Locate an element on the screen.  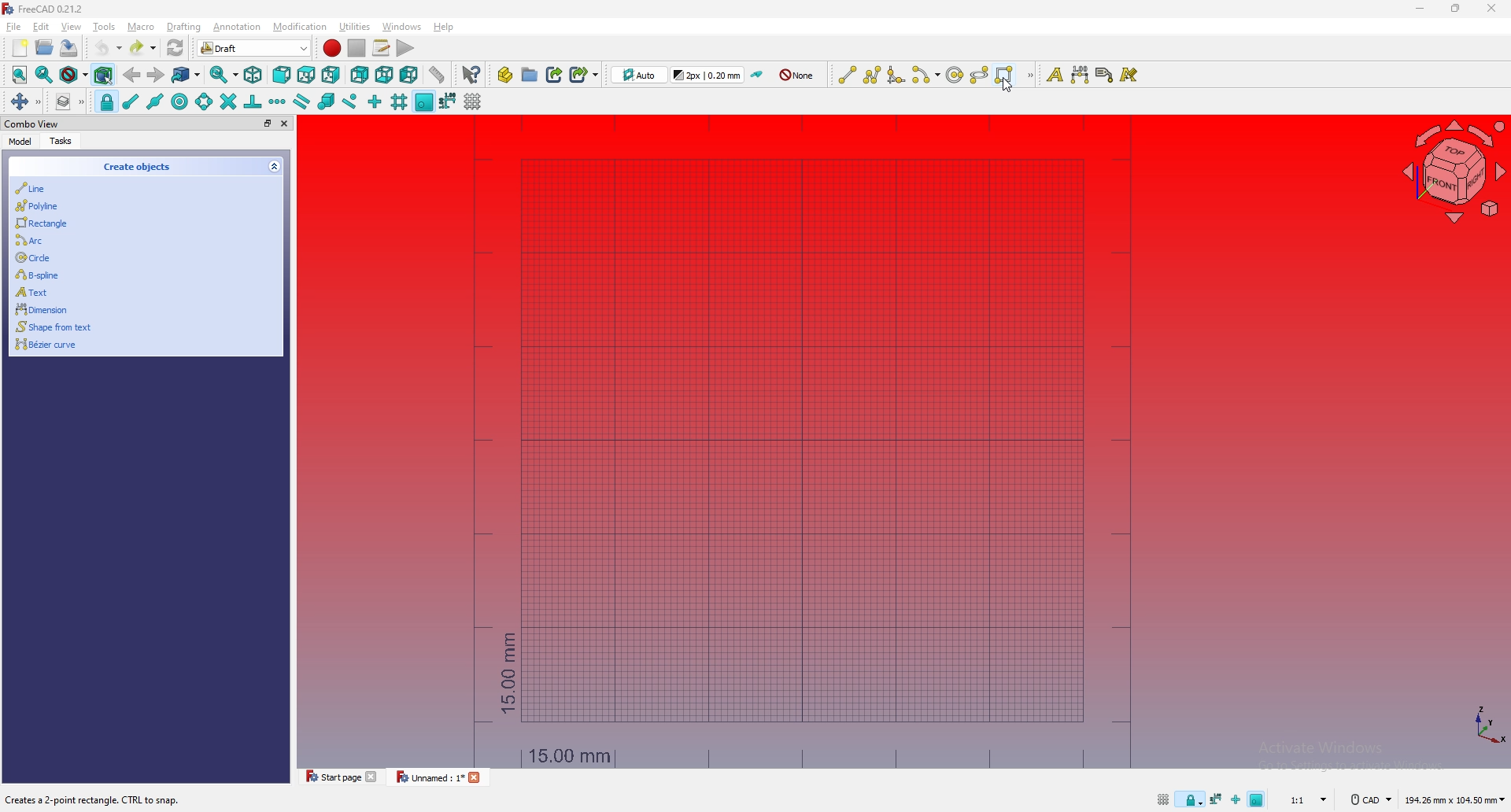
tasks is located at coordinates (63, 142).